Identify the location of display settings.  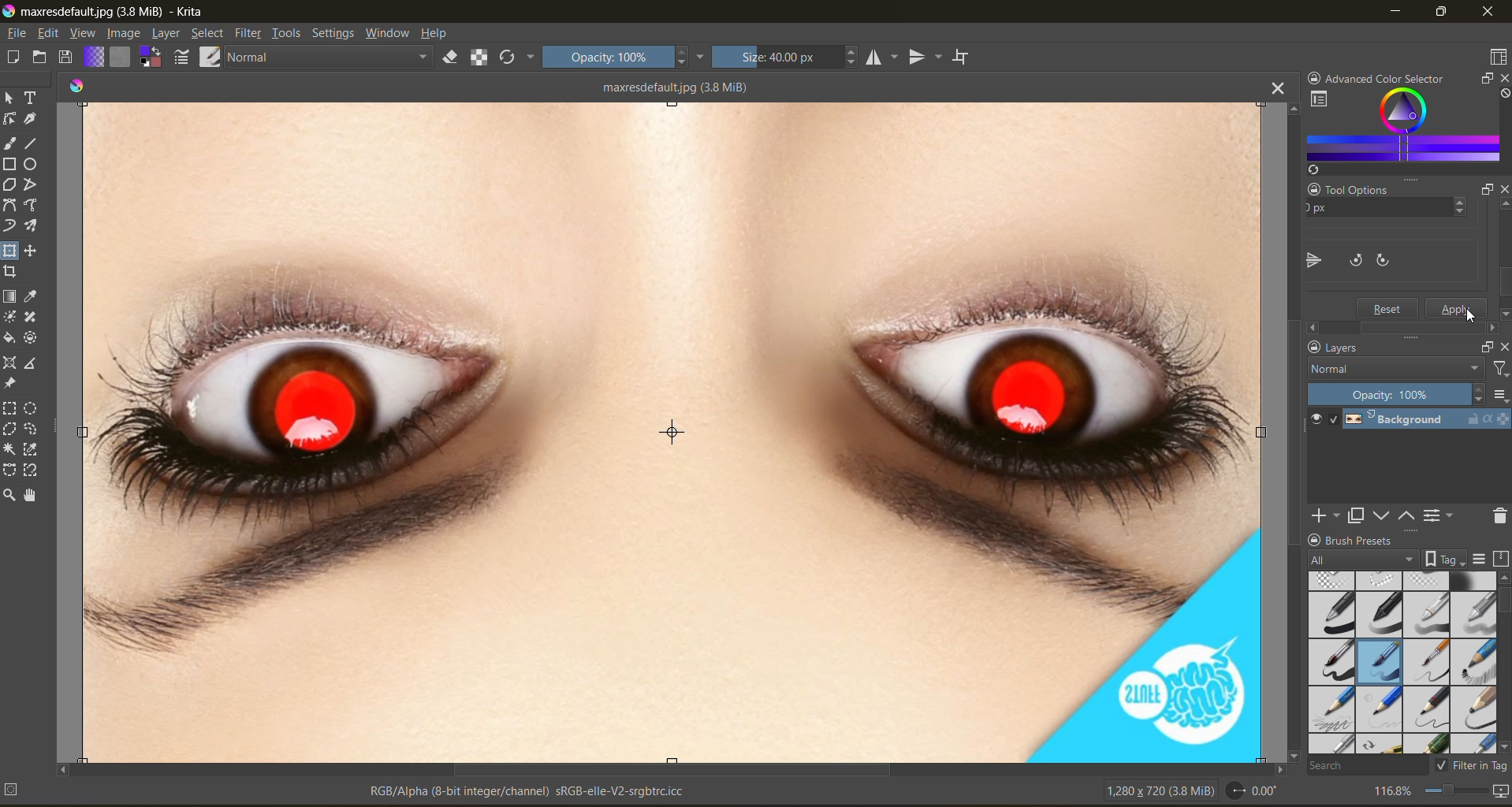
(1484, 558).